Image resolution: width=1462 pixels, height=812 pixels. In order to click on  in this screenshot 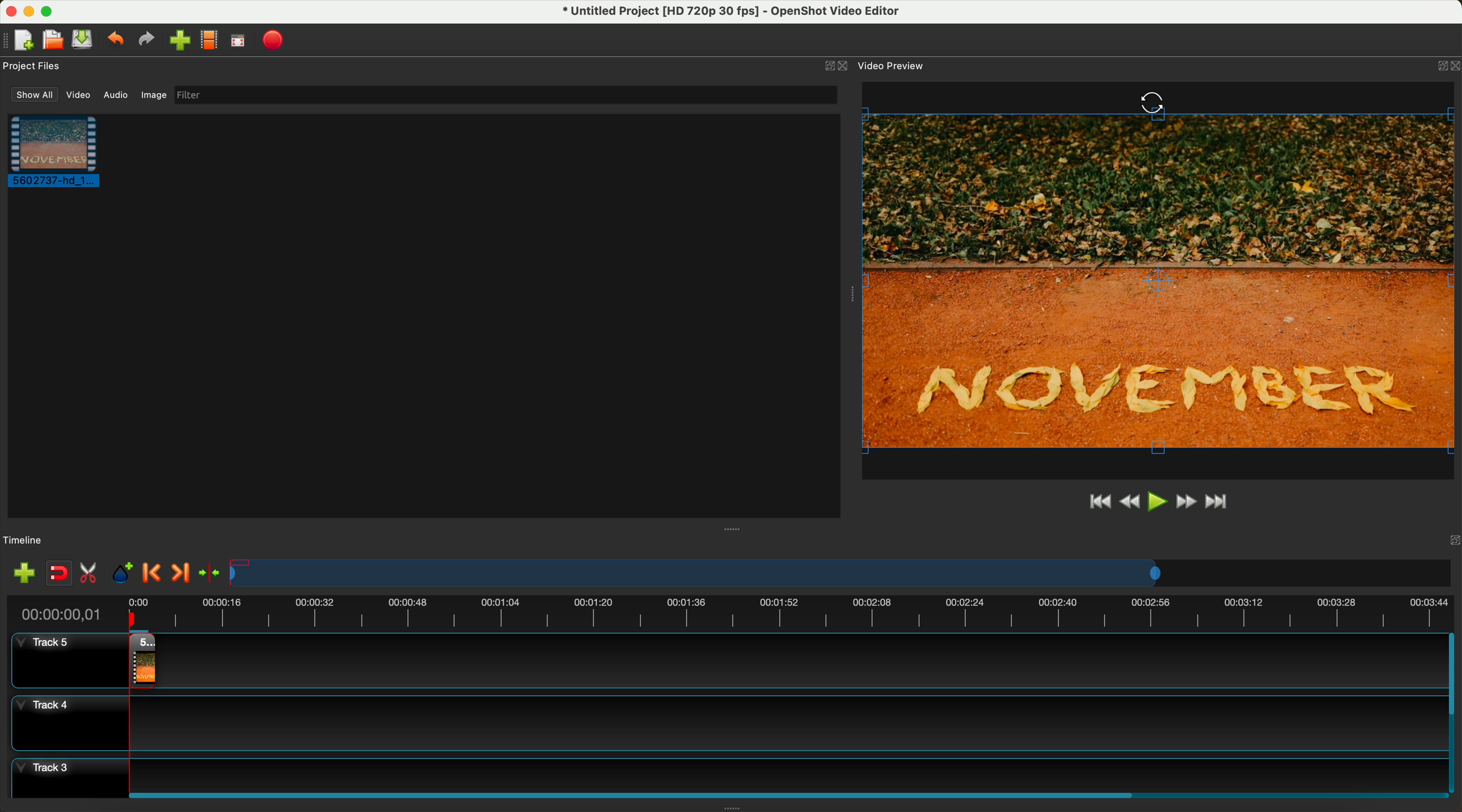, I will do `click(734, 528)`.